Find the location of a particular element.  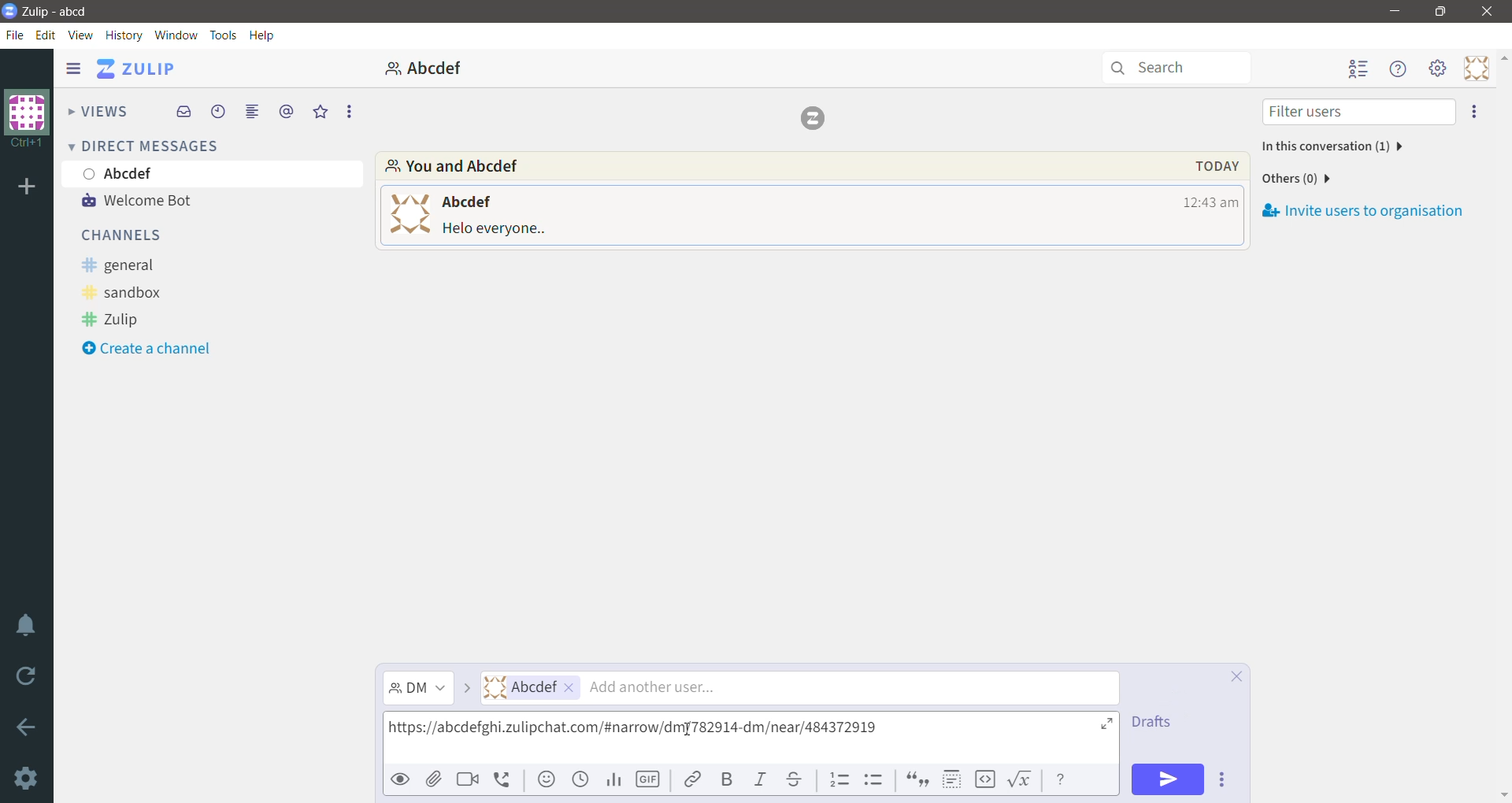

Add video call is located at coordinates (469, 779).